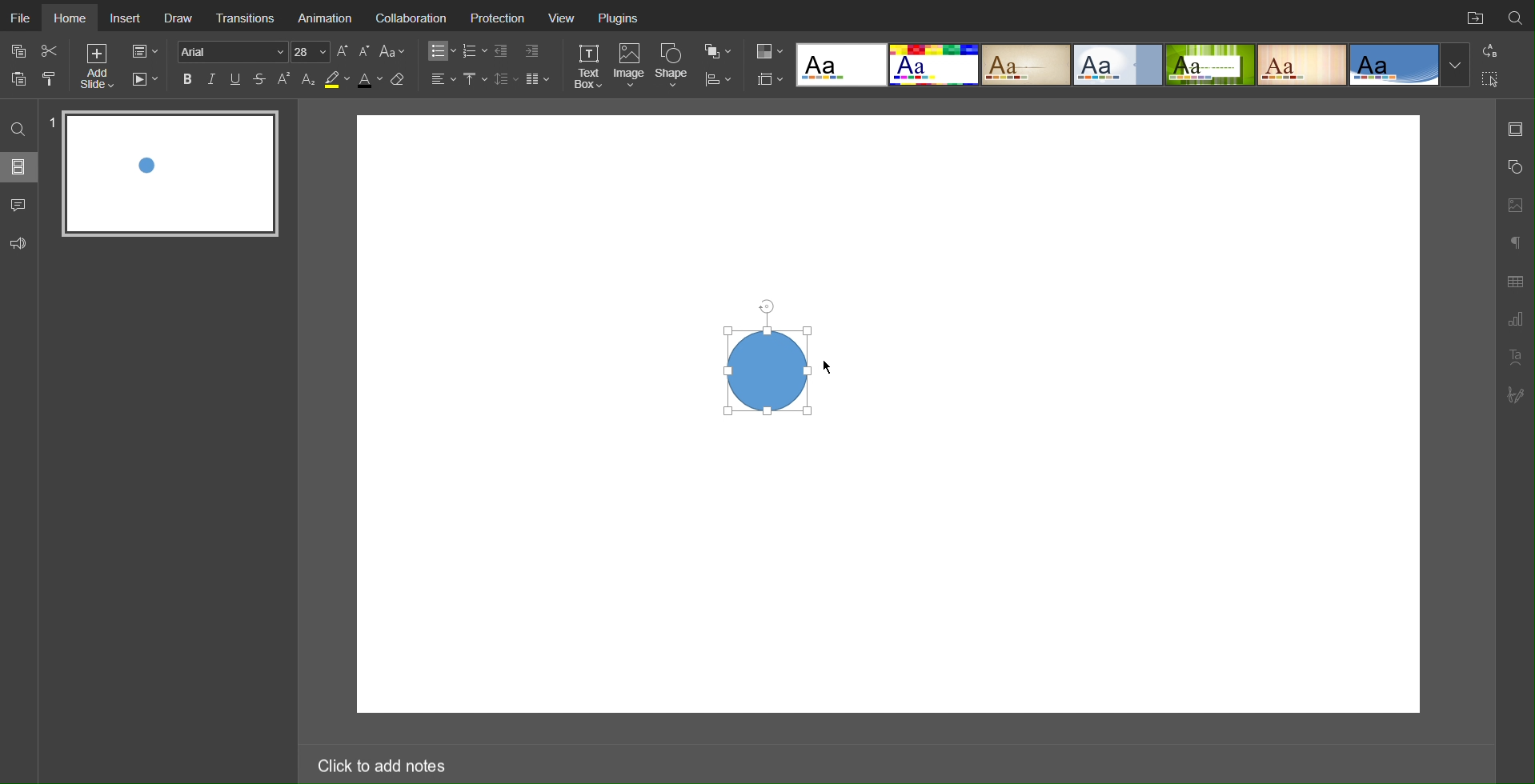  Describe the element at coordinates (587, 66) in the screenshot. I see `Text Box` at that location.